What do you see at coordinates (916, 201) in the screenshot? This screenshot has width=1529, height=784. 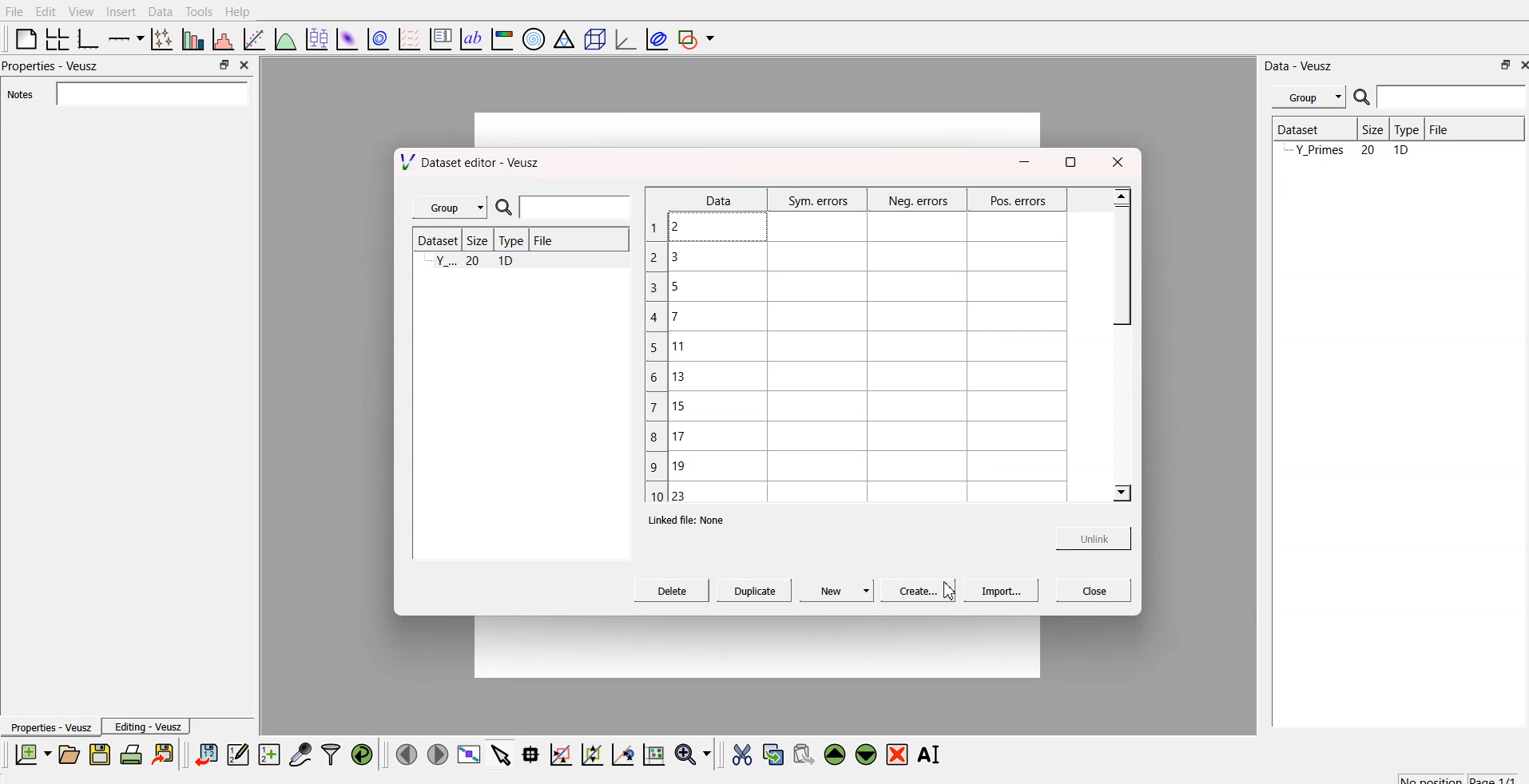 I see `Neg. errors` at bounding box center [916, 201].